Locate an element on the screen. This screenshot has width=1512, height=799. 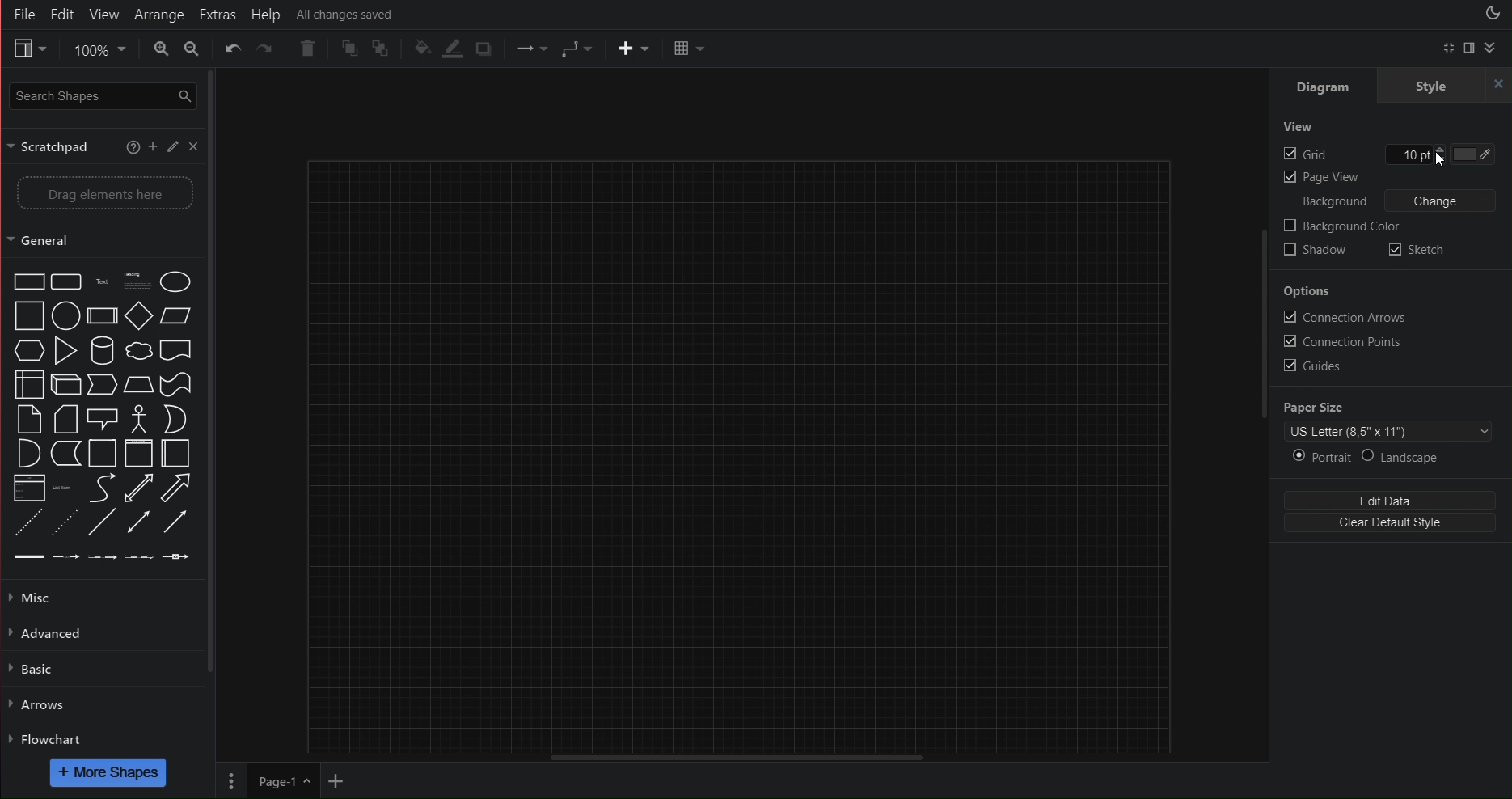
Arrange is located at coordinates (158, 13).